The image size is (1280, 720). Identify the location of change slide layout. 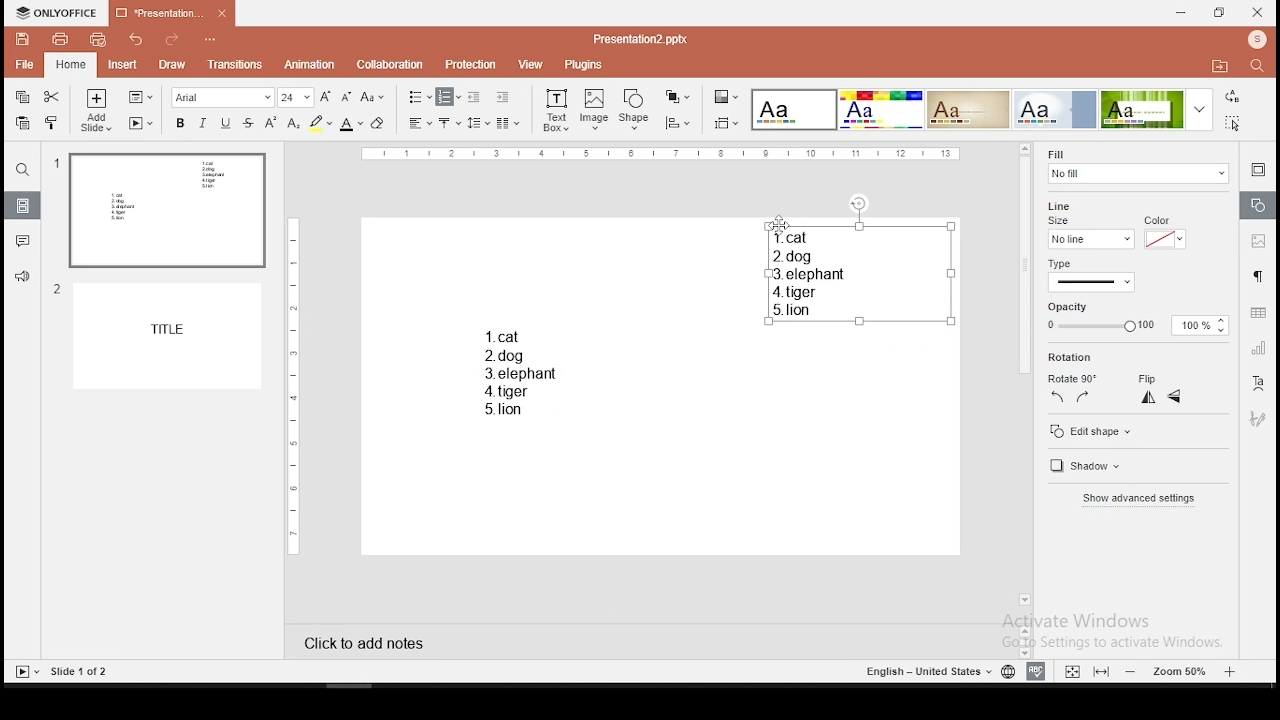
(141, 97).